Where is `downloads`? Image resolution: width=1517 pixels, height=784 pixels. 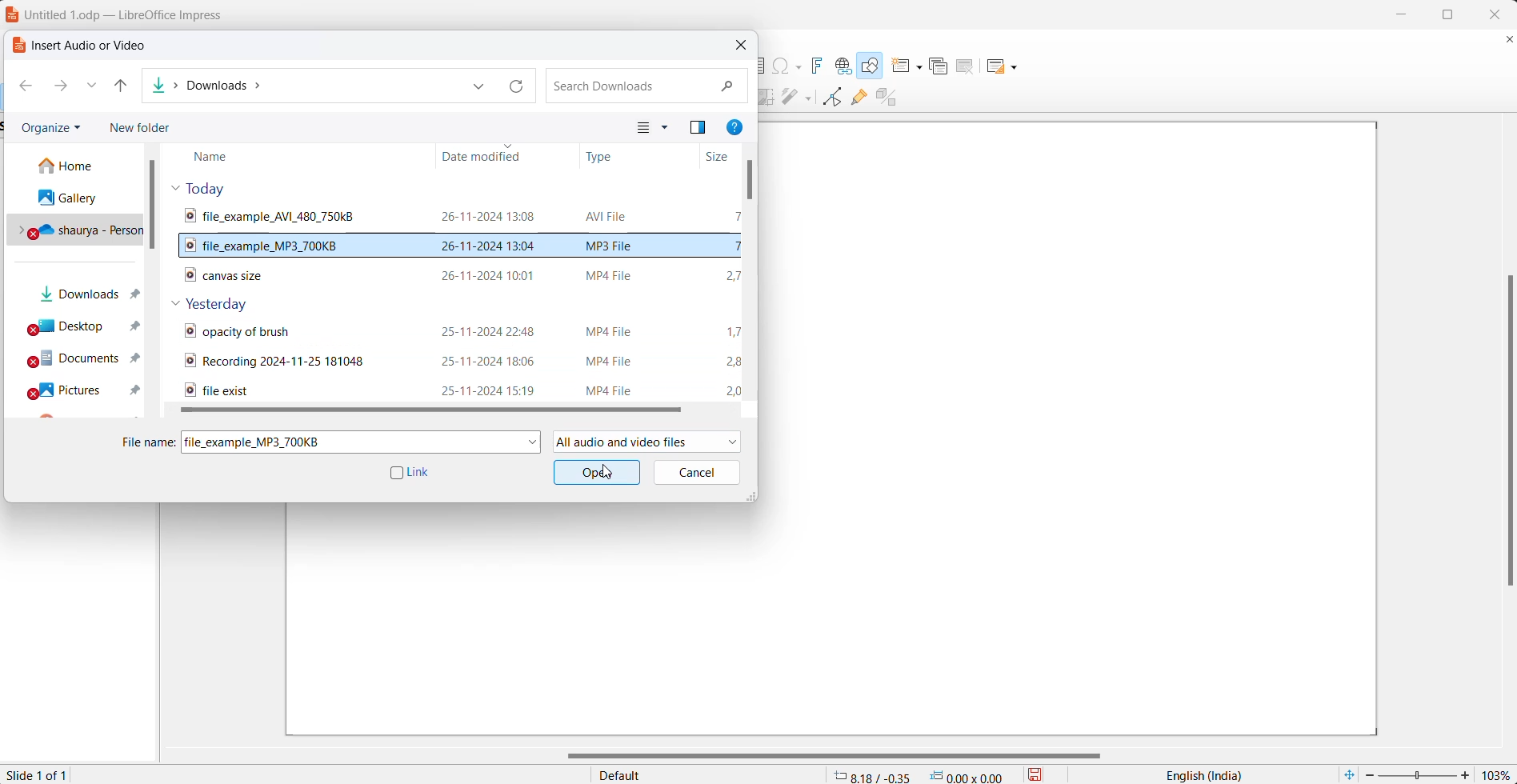
downloads is located at coordinates (82, 294).